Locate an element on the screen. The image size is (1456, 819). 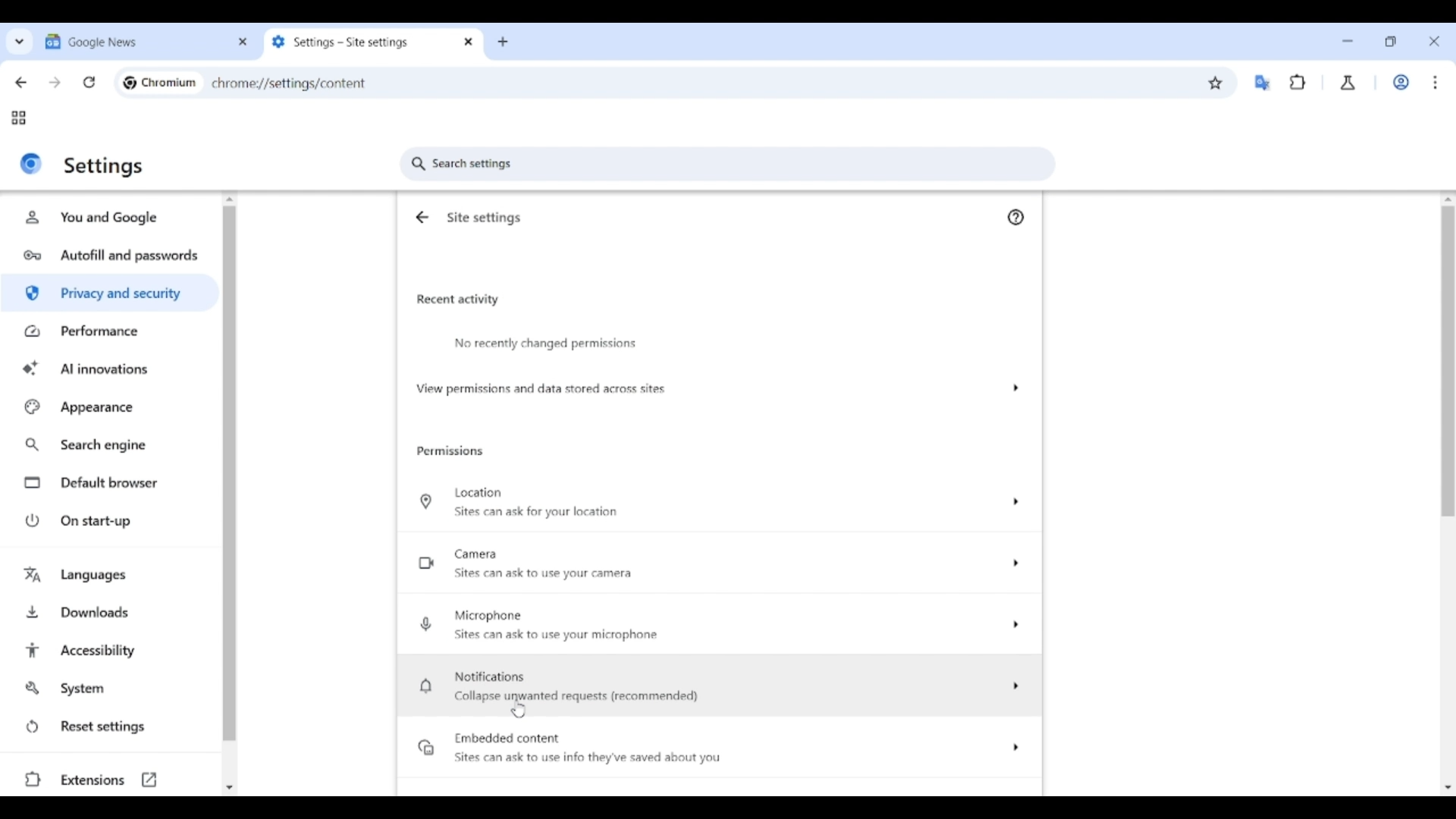
Search tabs is located at coordinates (20, 41).